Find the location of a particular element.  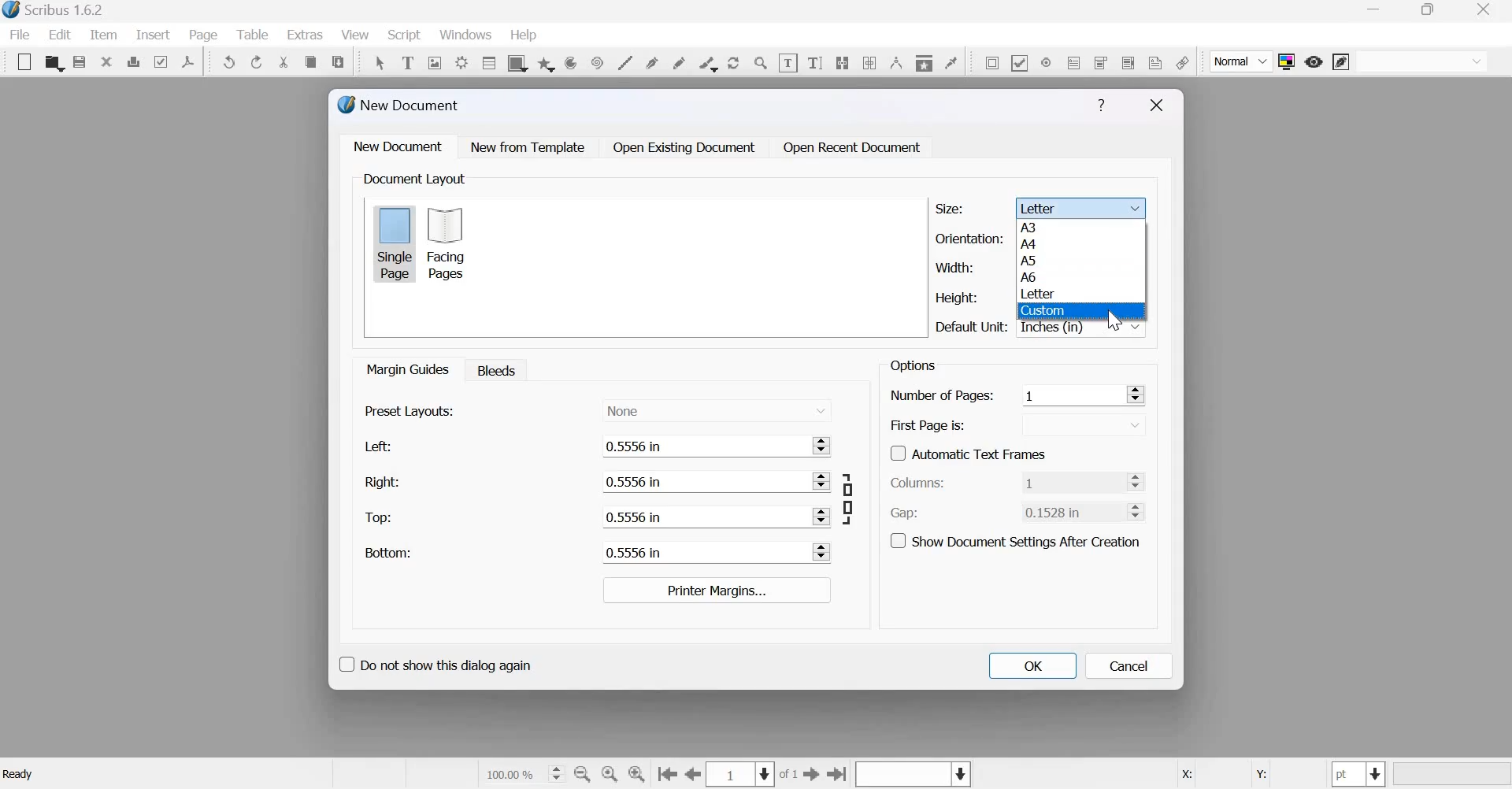

Right: is located at coordinates (381, 481).